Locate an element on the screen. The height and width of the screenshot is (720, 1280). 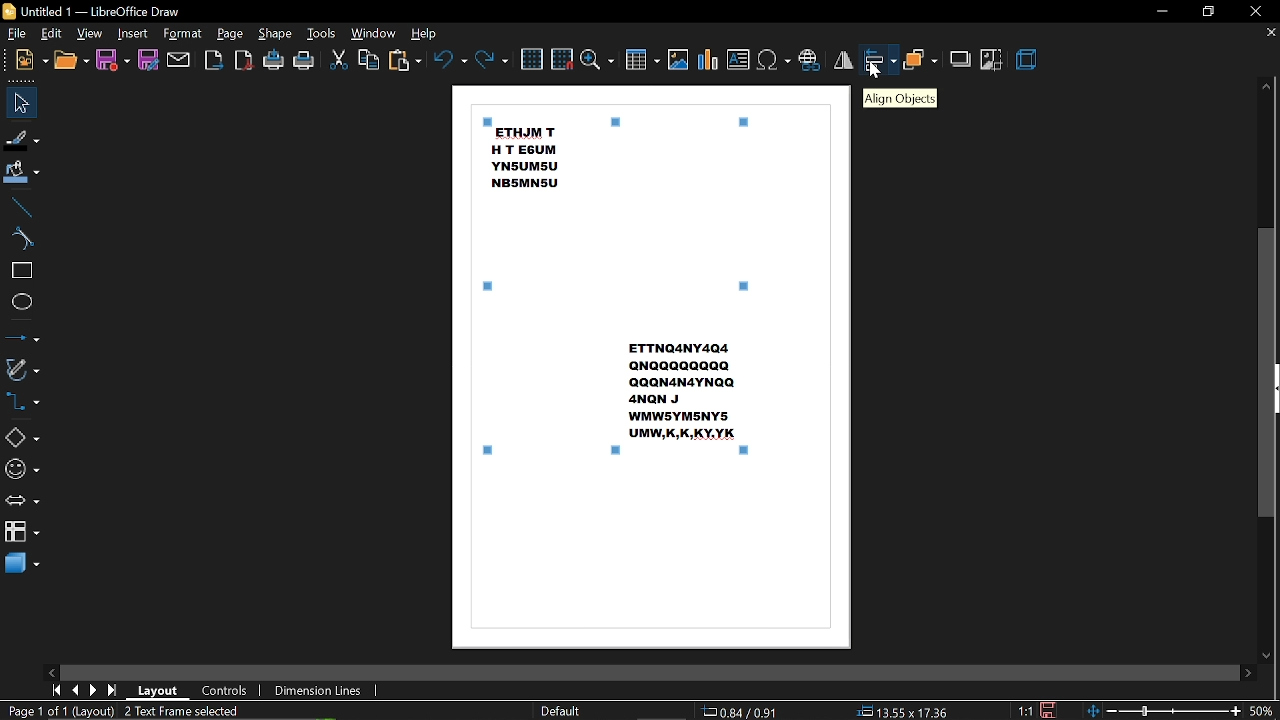
fill line is located at coordinates (23, 138).